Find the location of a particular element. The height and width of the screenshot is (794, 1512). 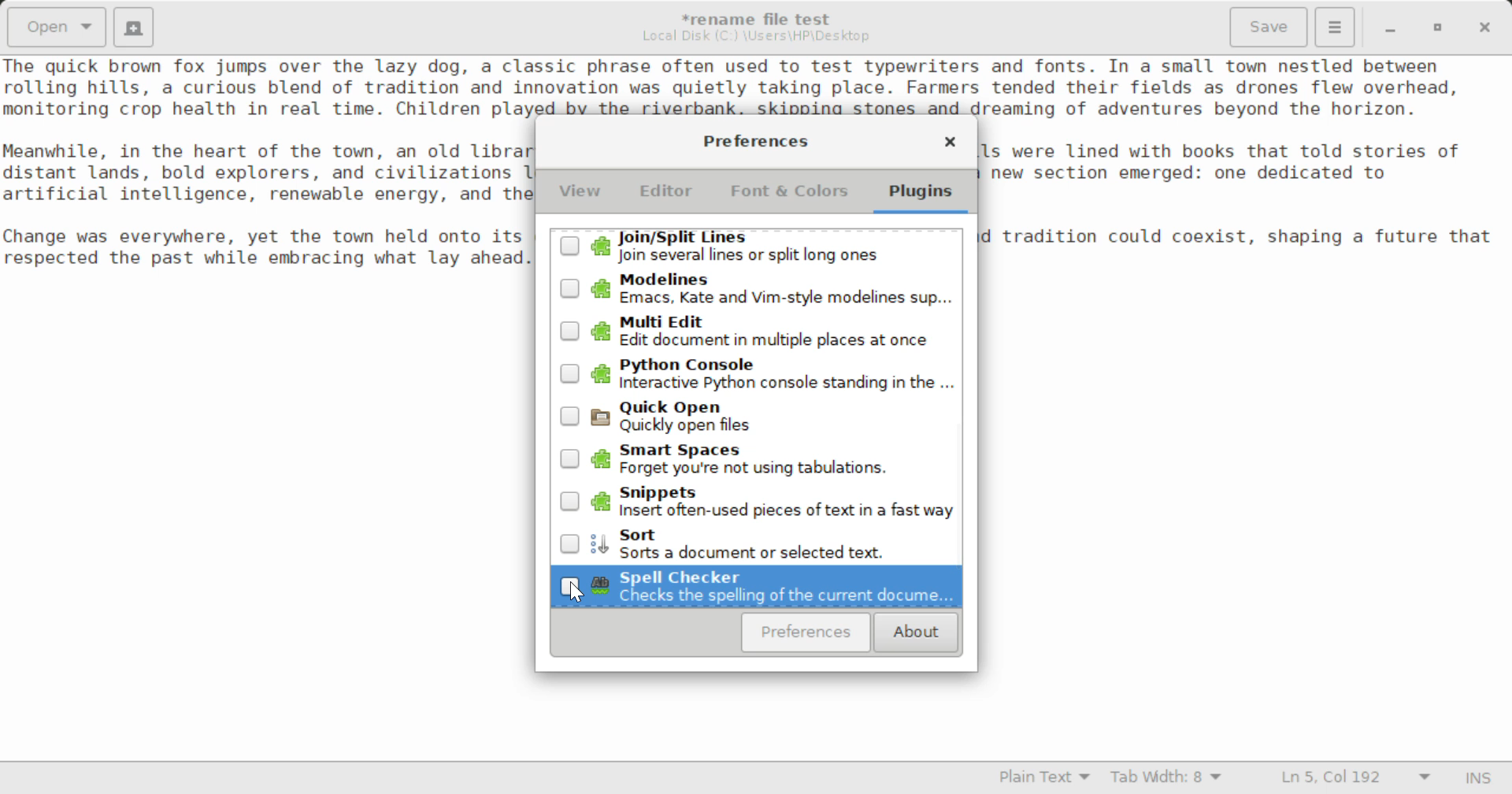

Modelines Plugin Unselected is located at coordinates (754, 290).